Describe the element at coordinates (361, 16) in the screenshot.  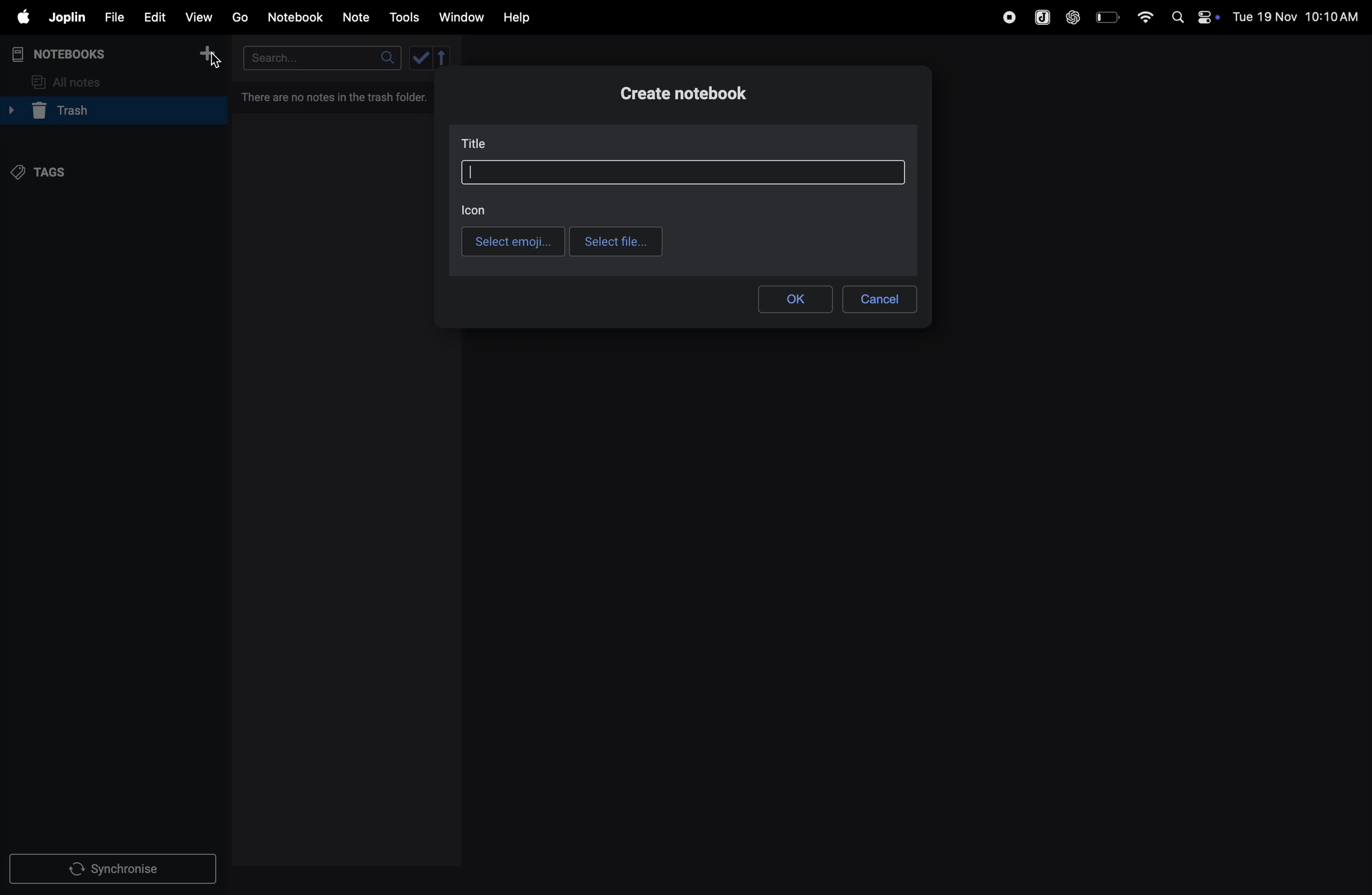
I see `note` at that location.